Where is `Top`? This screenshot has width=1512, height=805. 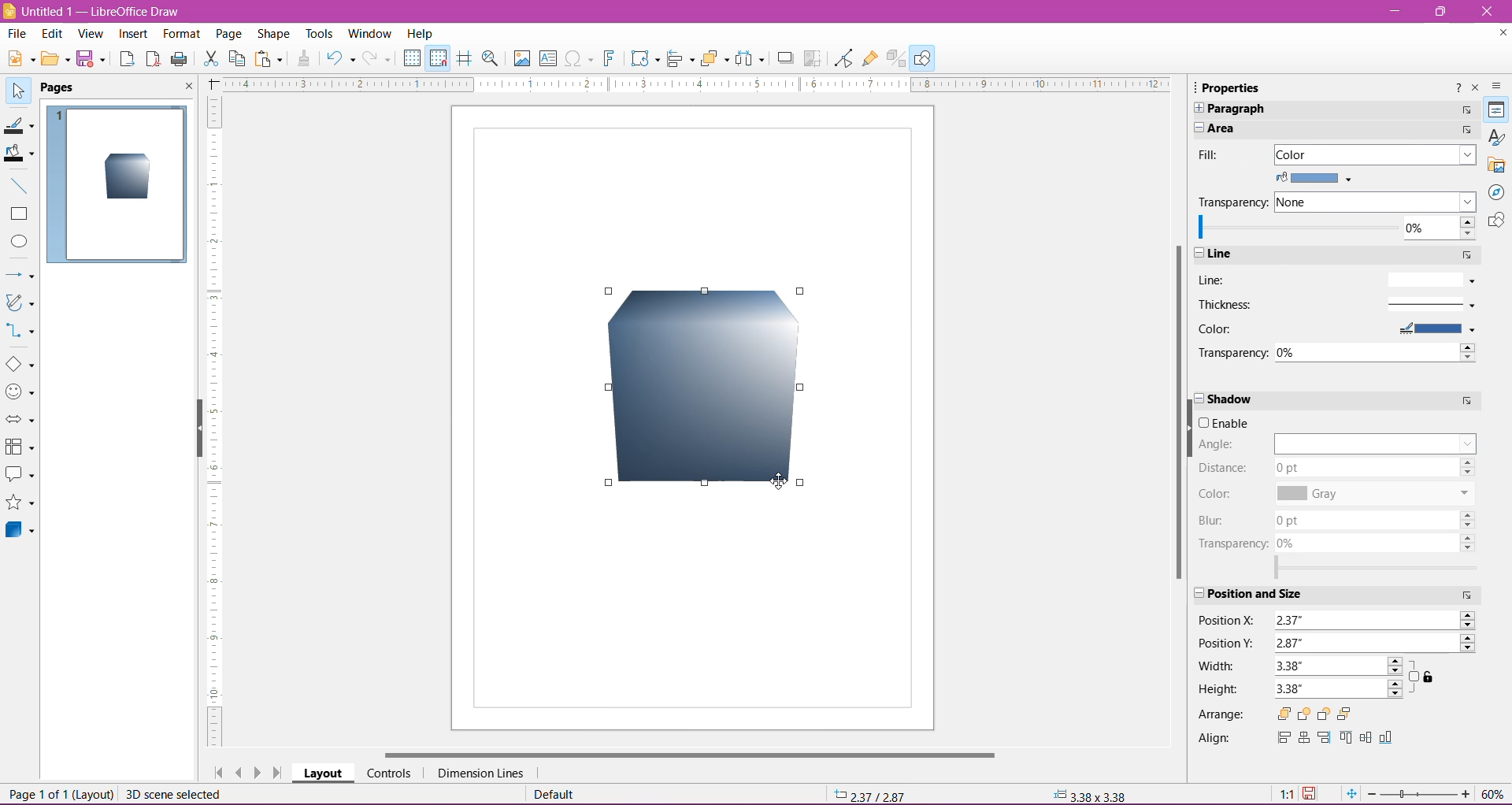 Top is located at coordinates (1345, 740).